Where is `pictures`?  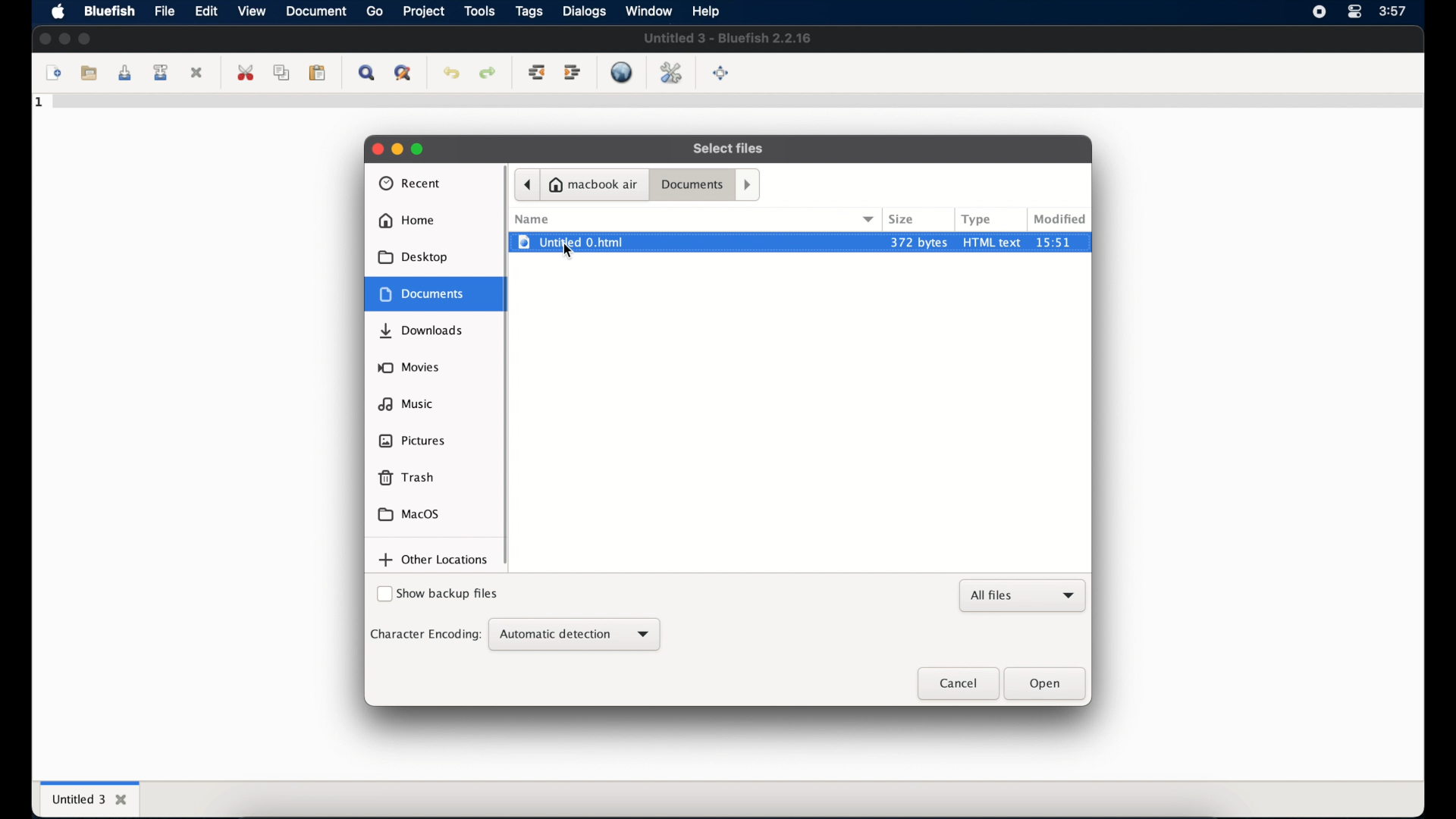
pictures is located at coordinates (413, 441).